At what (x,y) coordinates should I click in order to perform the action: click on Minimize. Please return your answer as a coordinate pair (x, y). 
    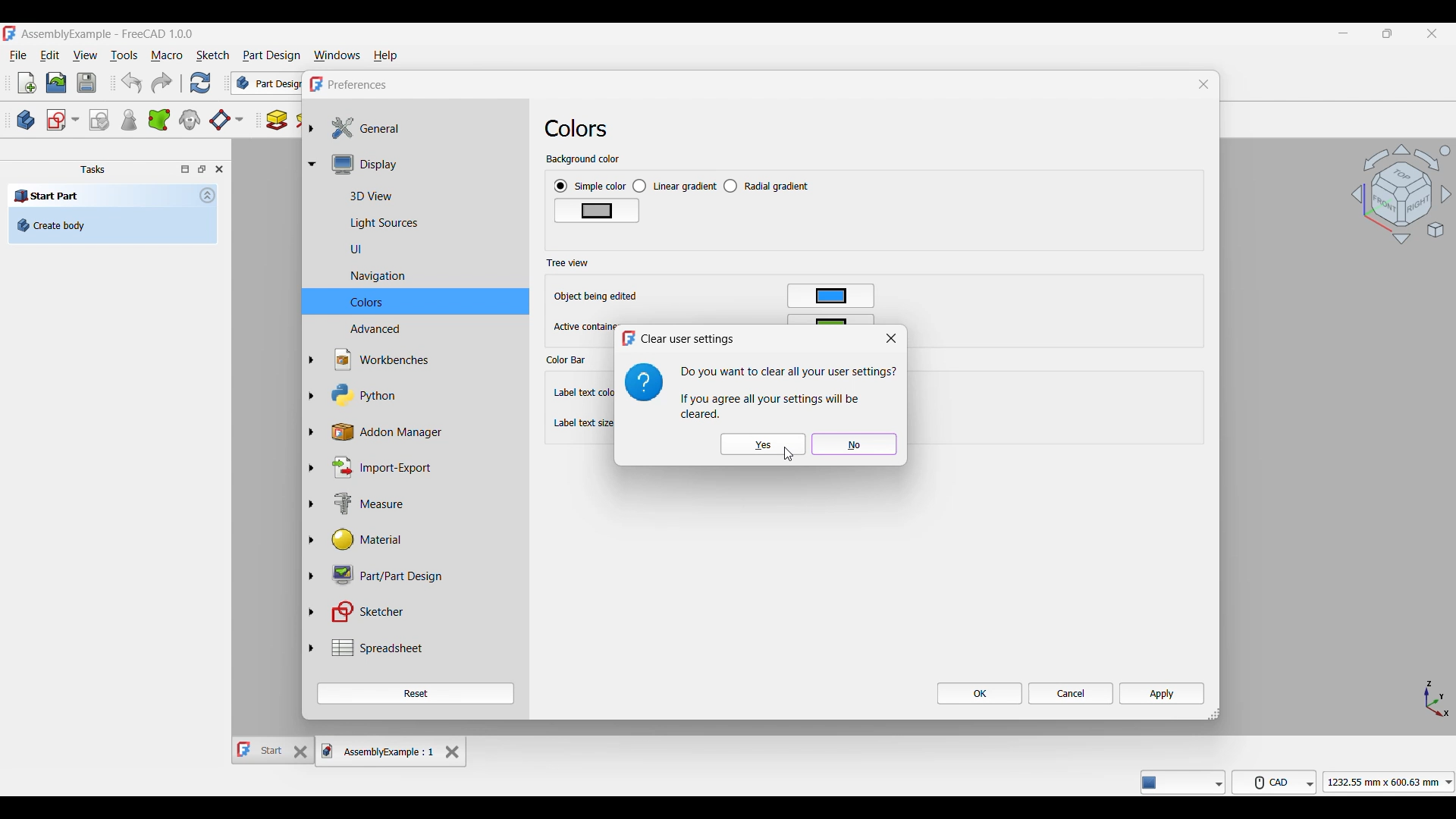
    Looking at the image, I should click on (1343, 33).